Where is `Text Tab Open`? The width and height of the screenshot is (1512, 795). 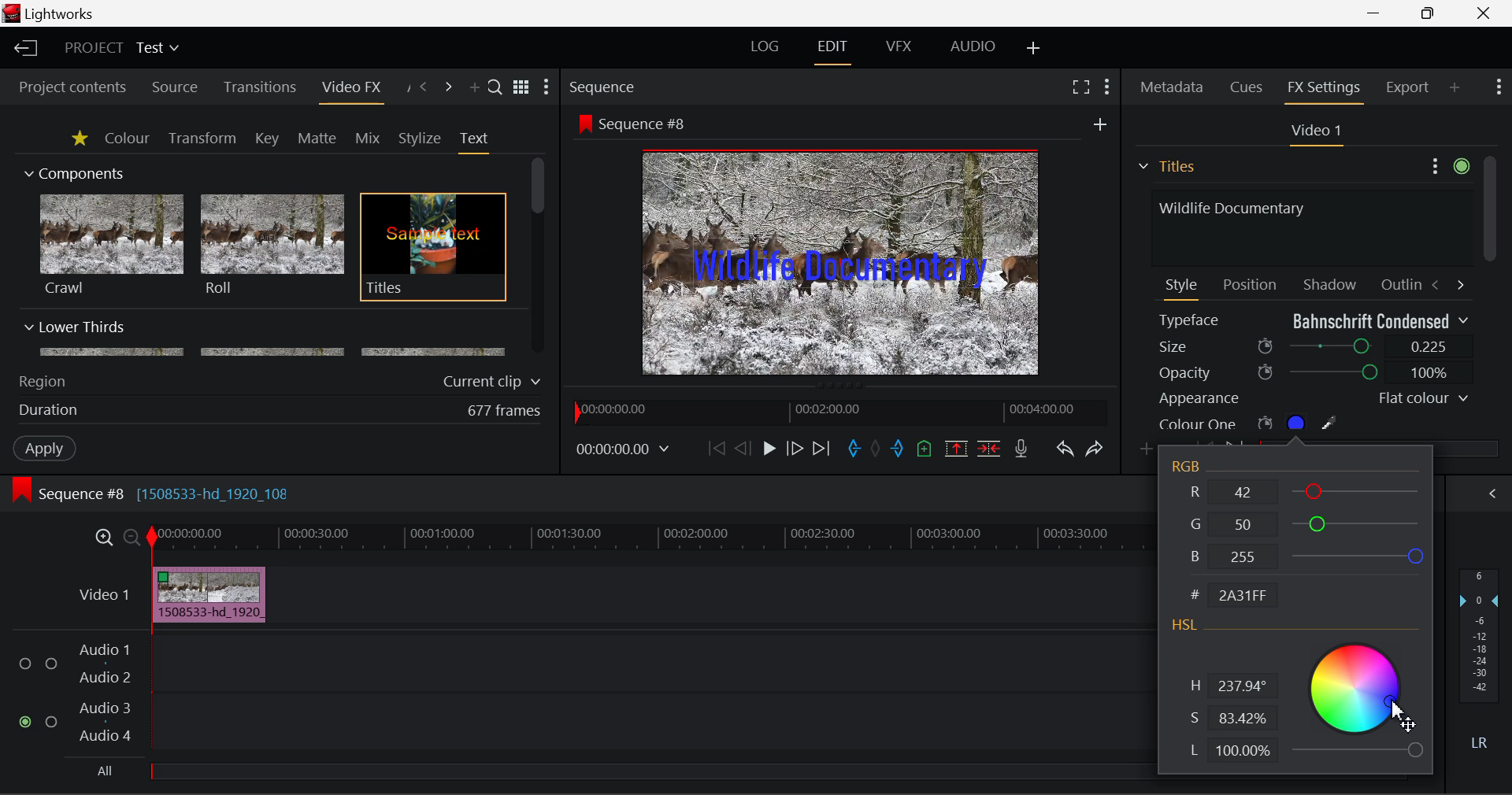
Text Tab Open is located at coordinates (478, 142).